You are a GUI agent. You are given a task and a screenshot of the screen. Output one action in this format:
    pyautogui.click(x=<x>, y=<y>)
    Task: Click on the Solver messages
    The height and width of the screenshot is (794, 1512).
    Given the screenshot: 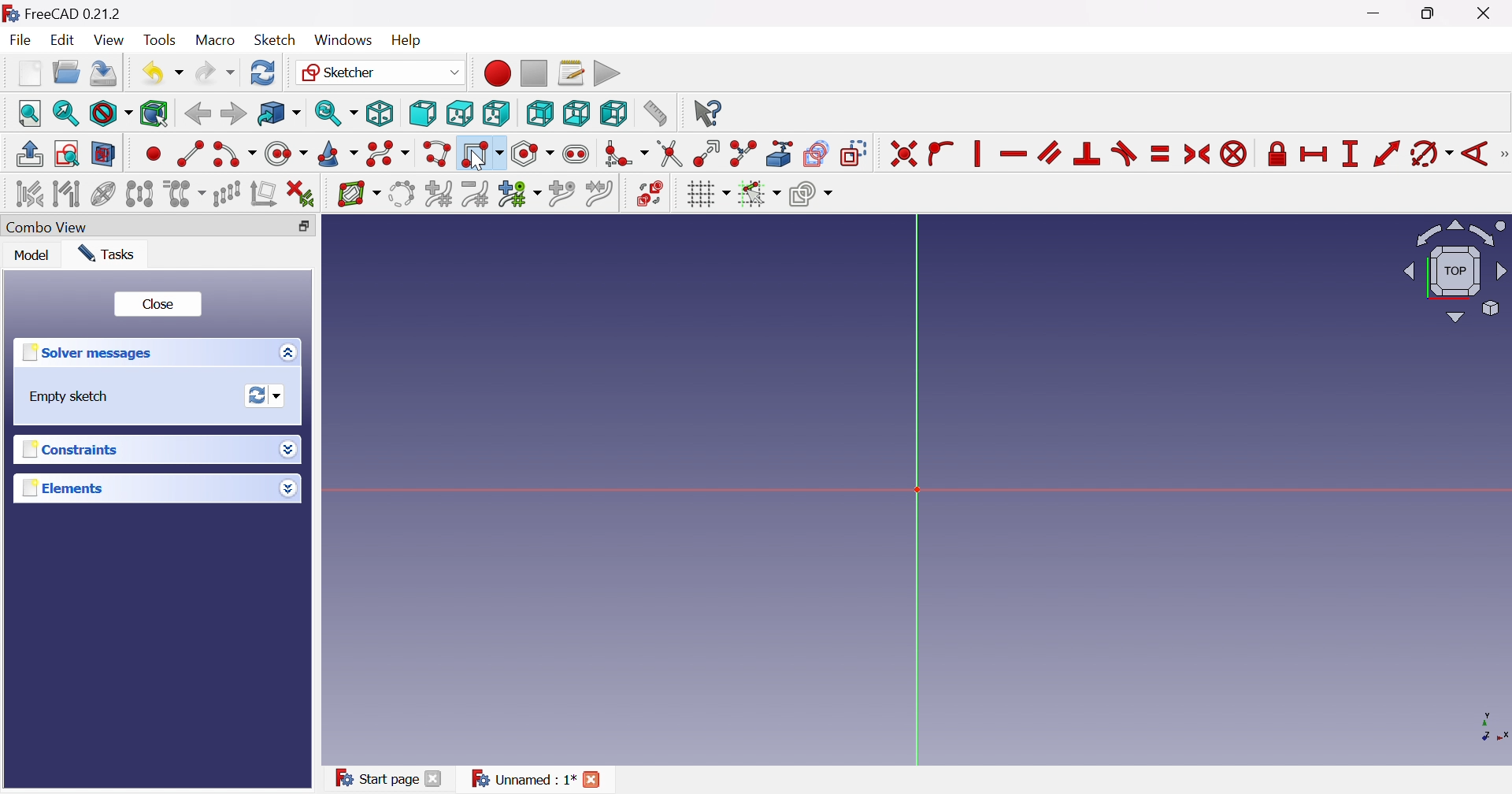 What is the action you would take?
    pyautogui.click(x=92, y=352)
    